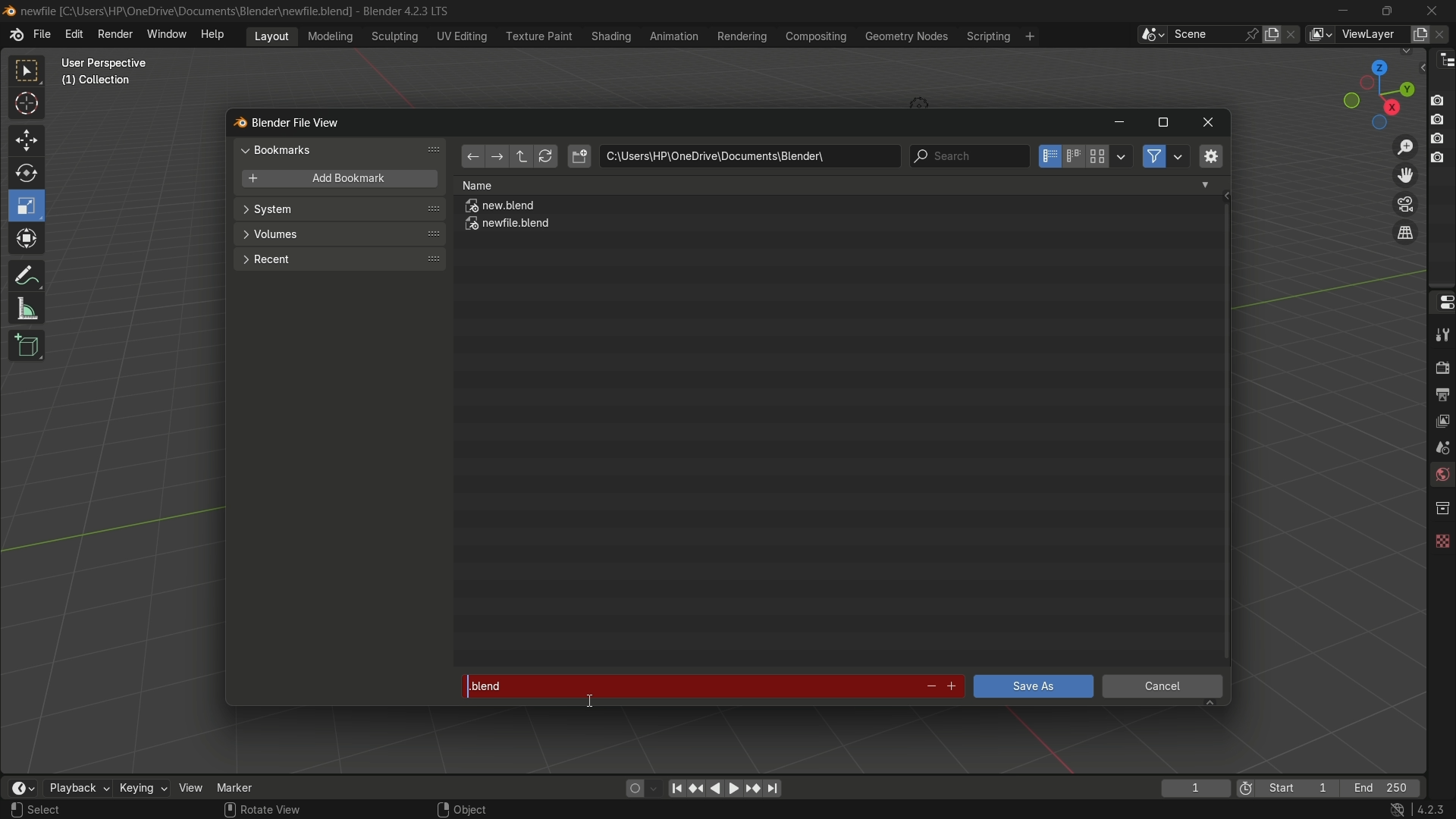  What do you see at coordinates (968, 156) in the screenshot?
I see `search bar` at bounding box center [968, 156].